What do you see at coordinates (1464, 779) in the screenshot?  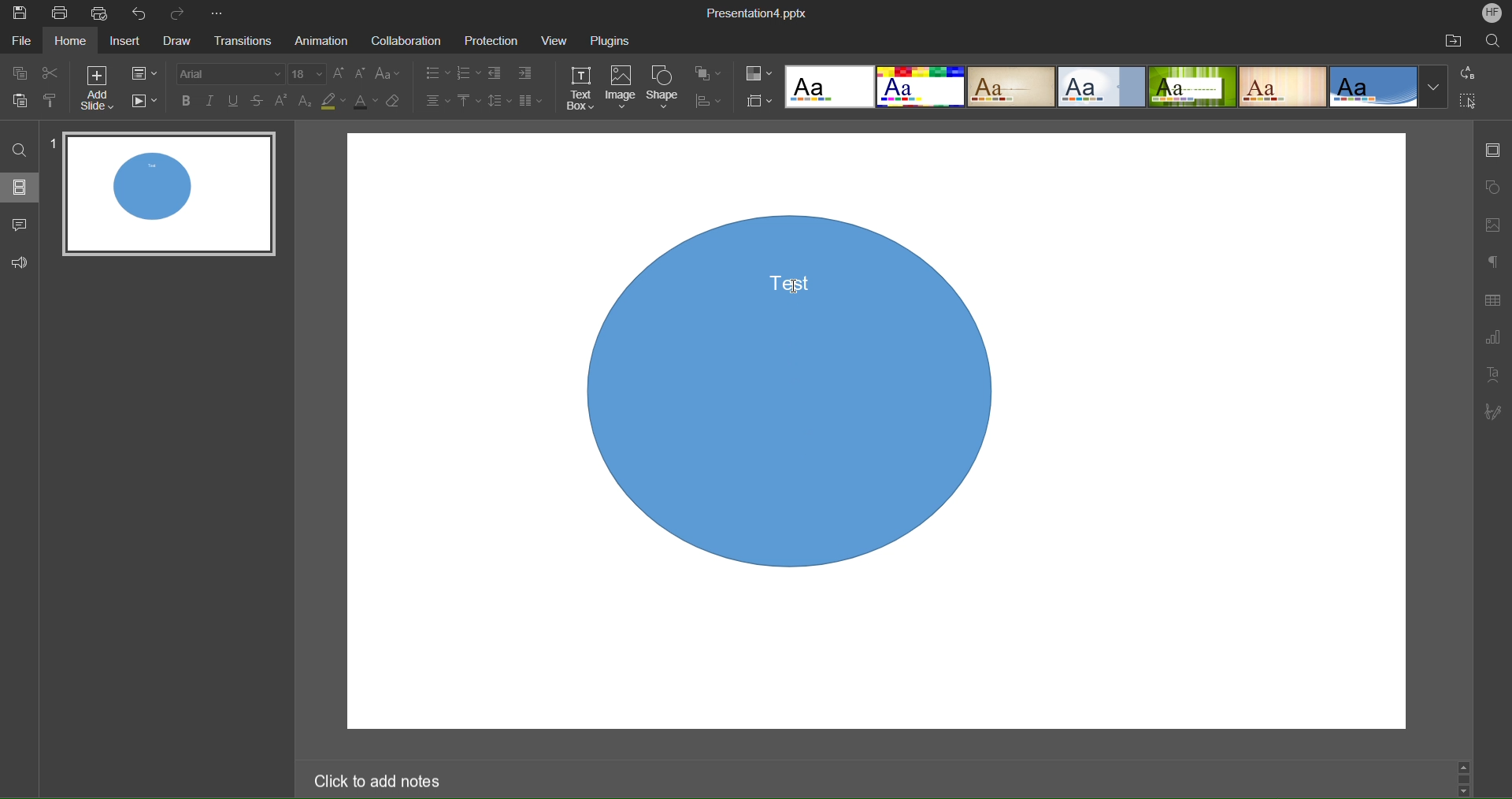 I see `Scroll bar ` at bounding box center [1464, 779].